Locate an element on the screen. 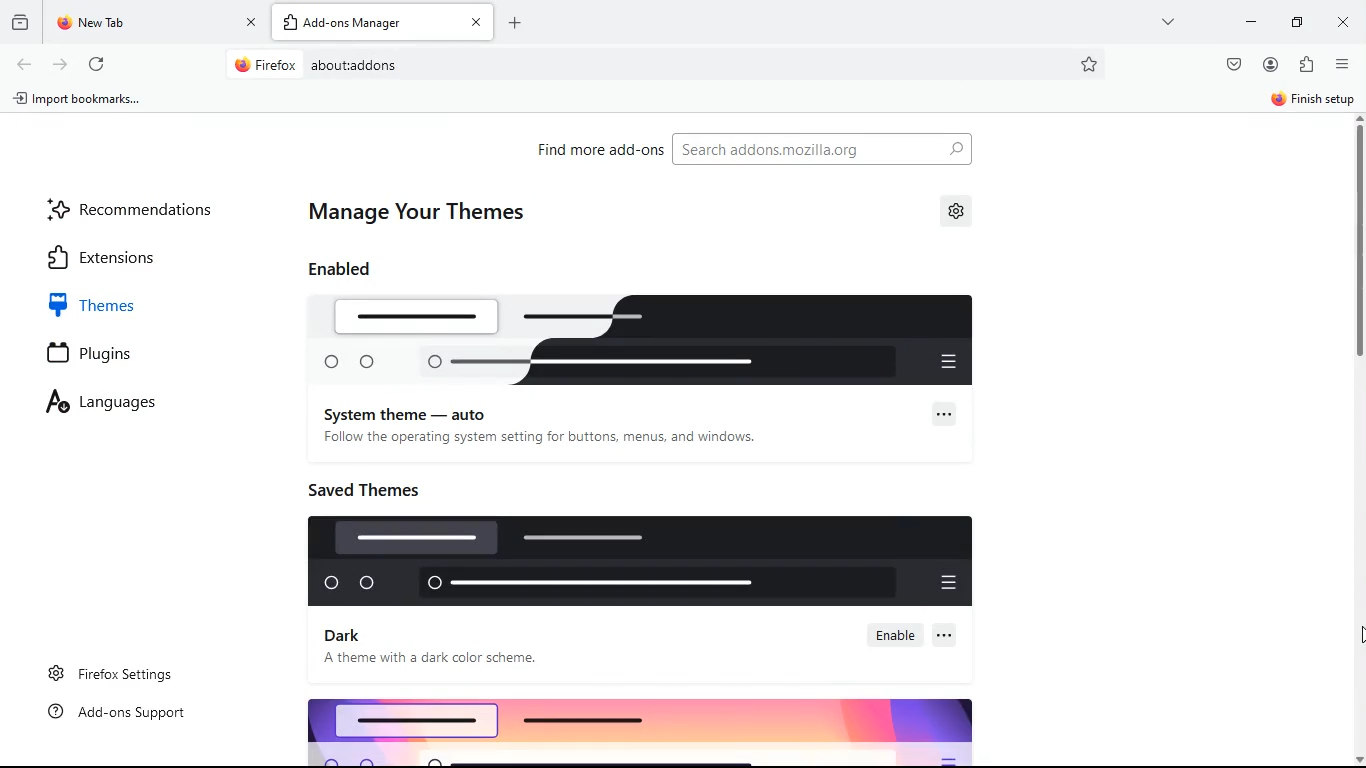 The image size is (1366, 768). minimize is located at coordinates (1246, 20).